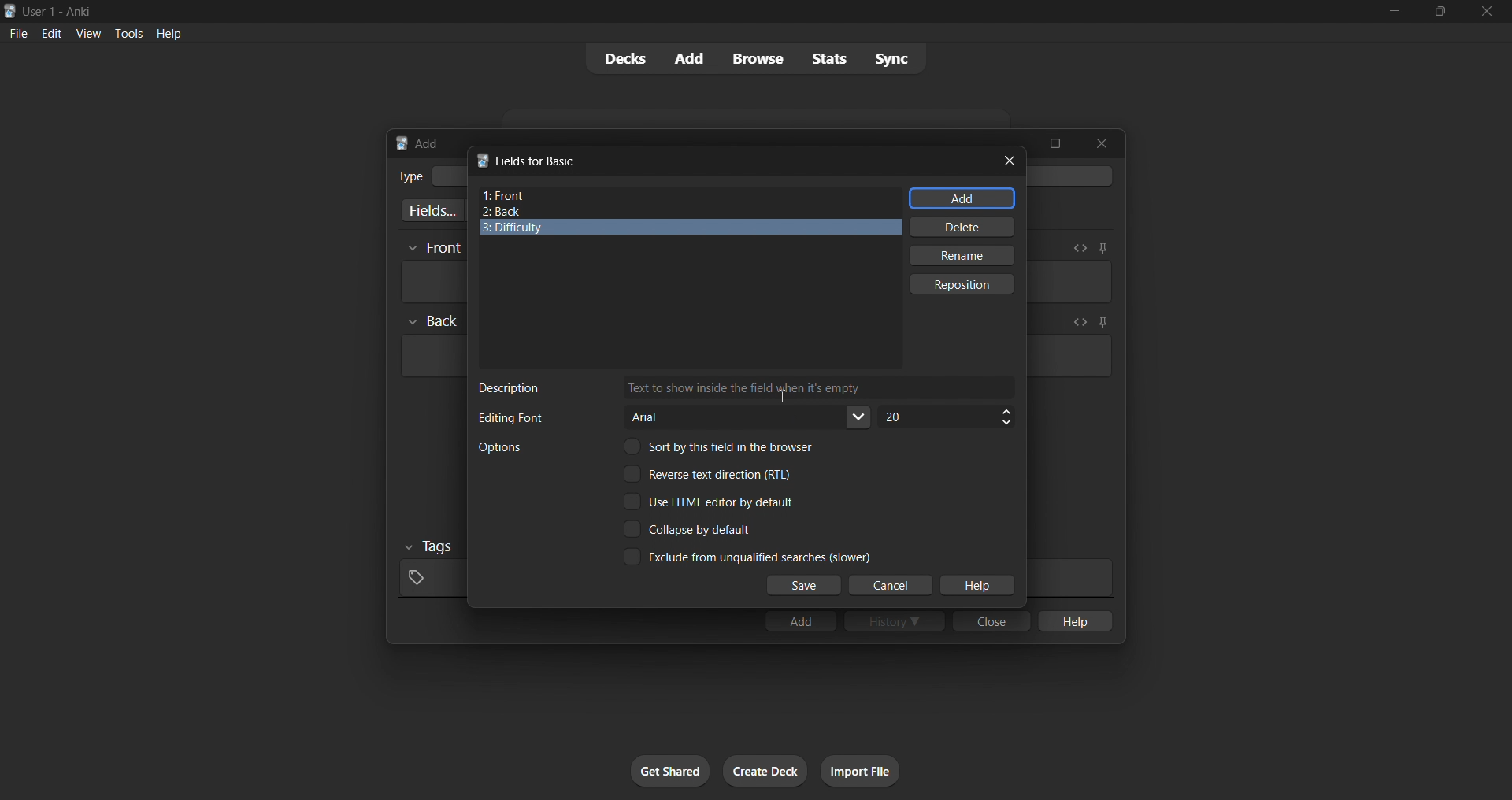 The height and width of the screenshot is (800, 1512). Describe the element at coordinates (710, 502) in the screenshot. I see `Toggle` at that location.